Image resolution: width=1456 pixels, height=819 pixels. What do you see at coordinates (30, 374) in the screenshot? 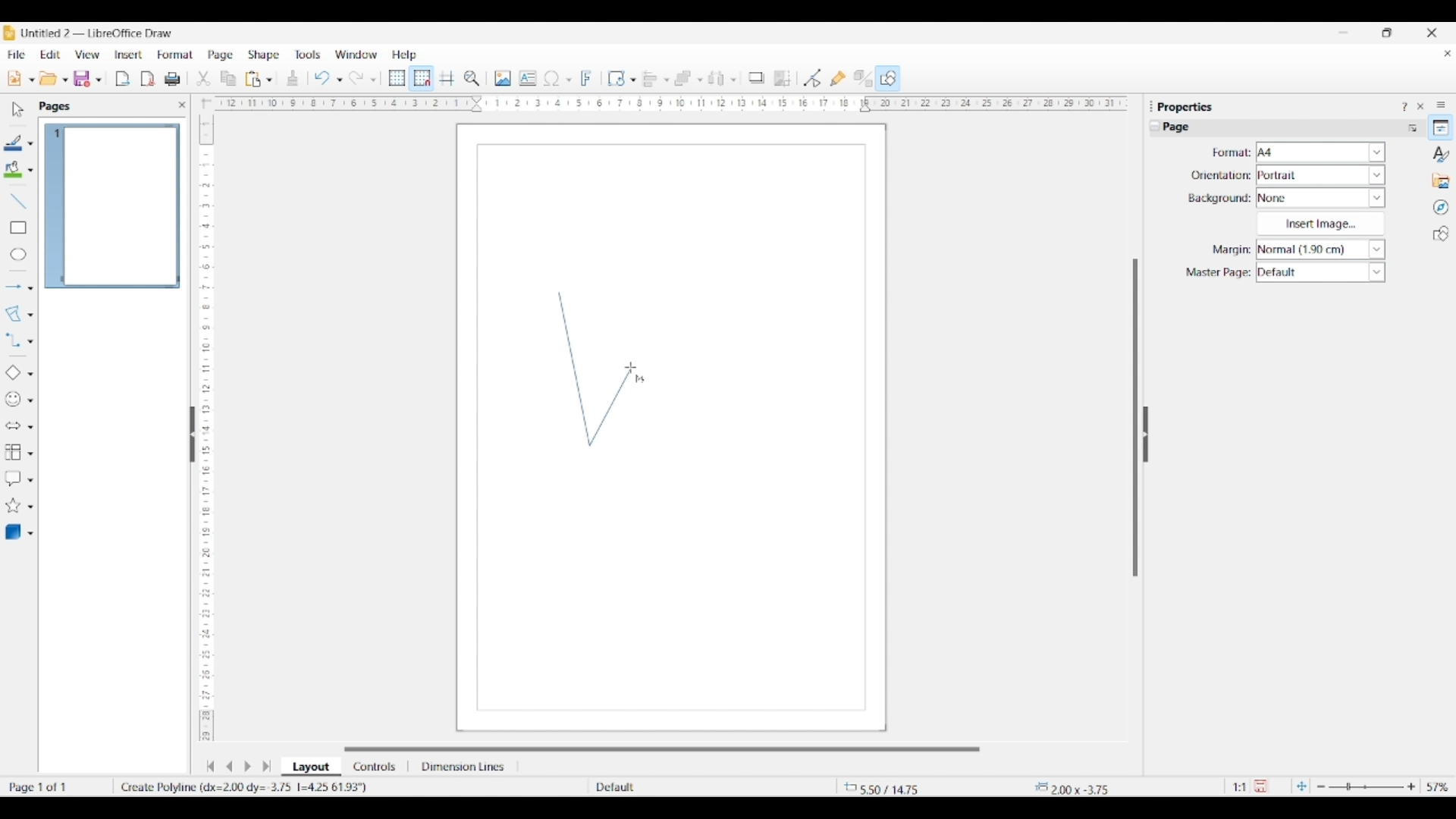
I see `Basic shape options` at bounding box center [30, 374].